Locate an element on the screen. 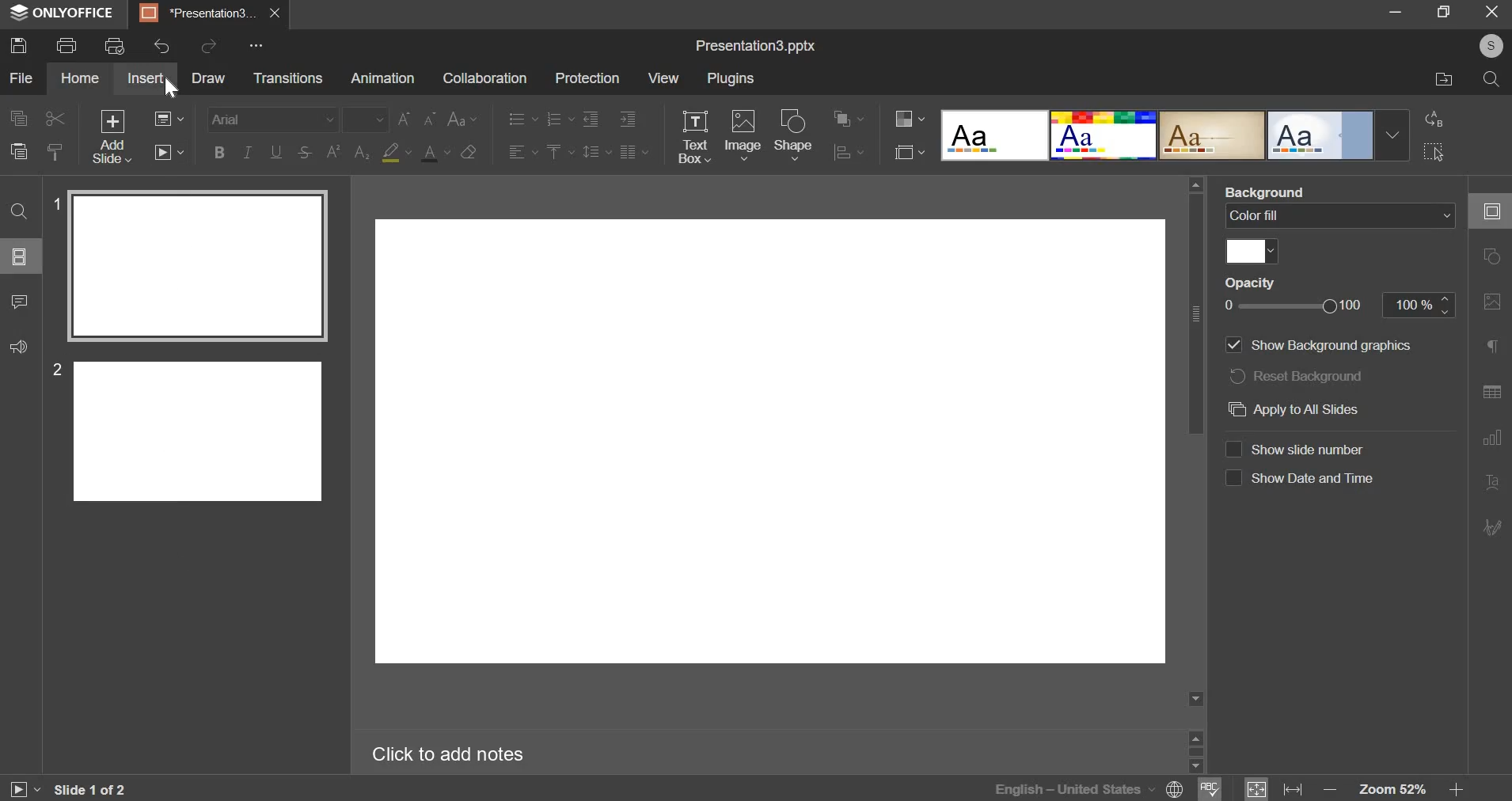 This screenshot has height=801, width=1512. add slide is located at coordinates (112, 136).